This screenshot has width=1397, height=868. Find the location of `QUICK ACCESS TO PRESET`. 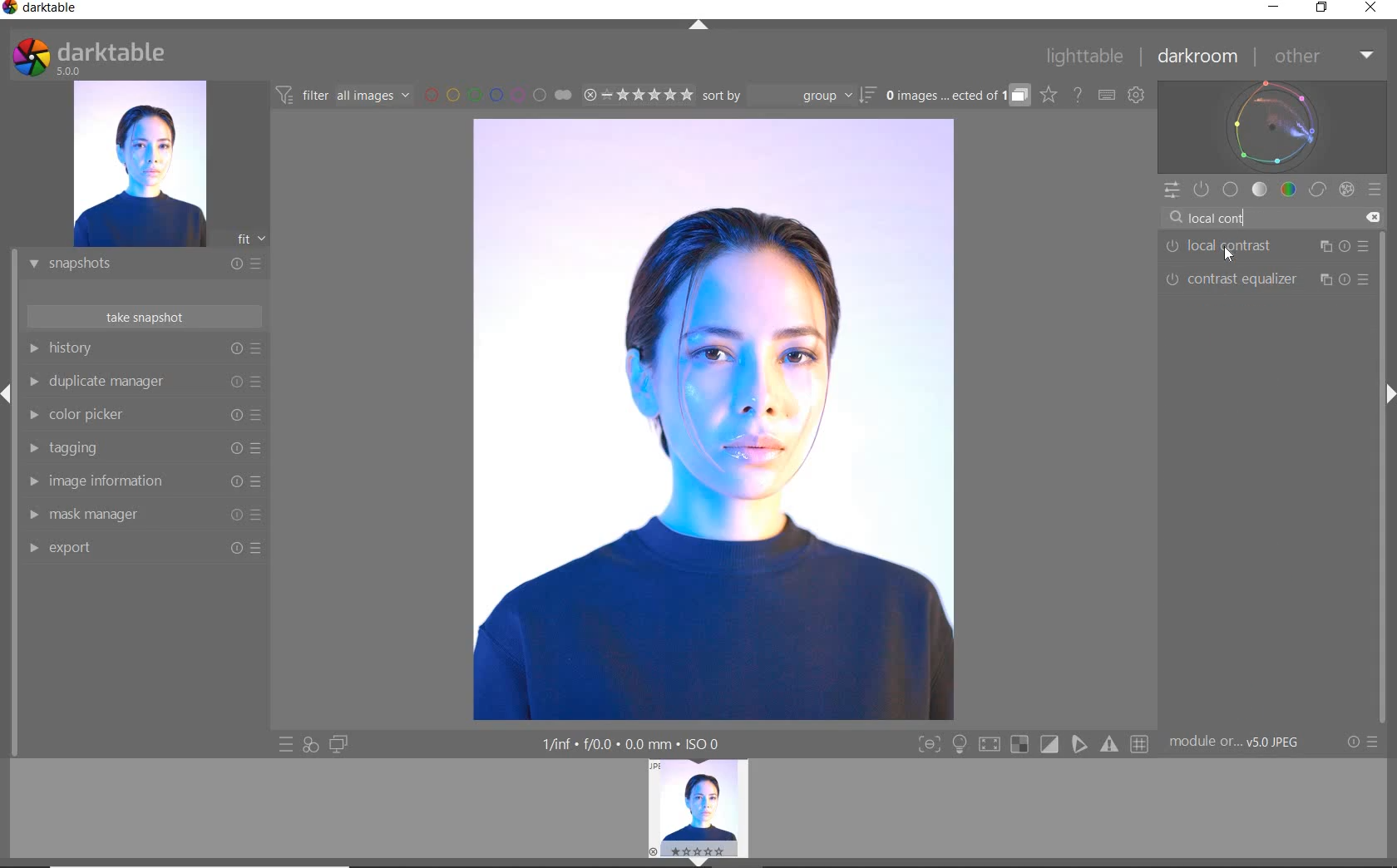

QUICK ACCESS TO PRESET is located at coordinates (287, 746).